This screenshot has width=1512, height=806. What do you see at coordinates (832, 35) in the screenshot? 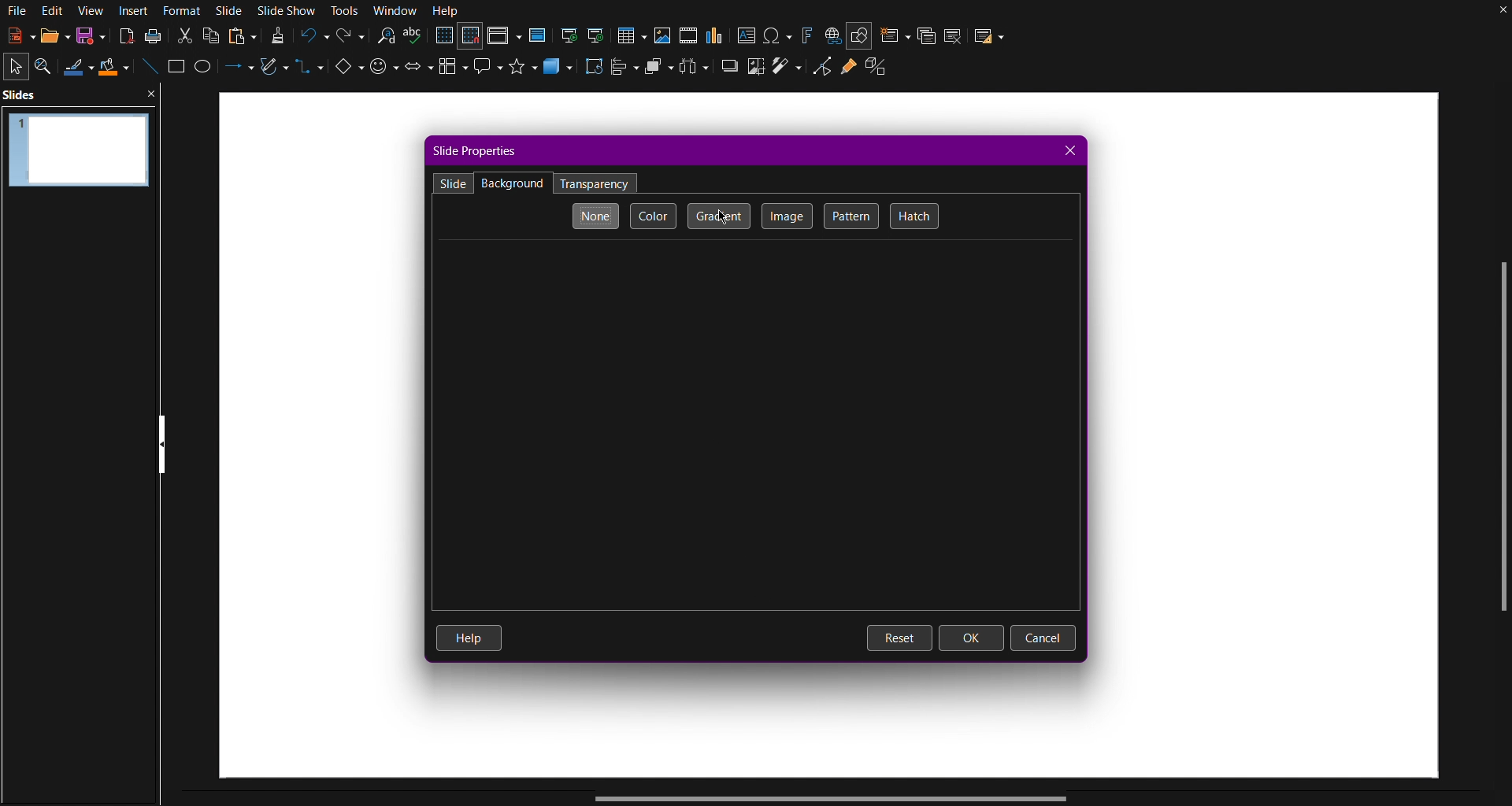
I see `Insert hyperlink` at bounding box center [832, 35].